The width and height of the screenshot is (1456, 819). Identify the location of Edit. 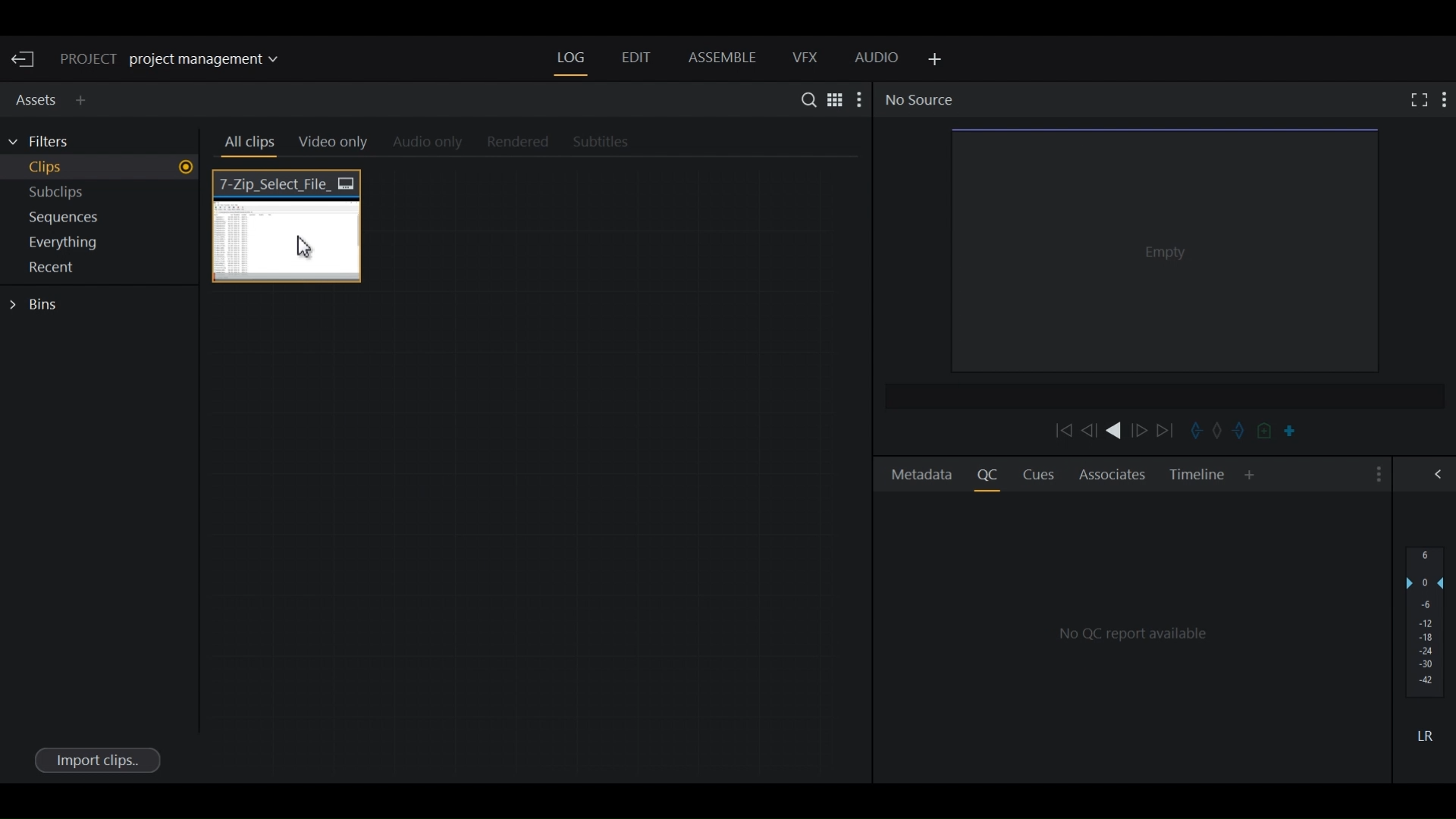
(635, 59).